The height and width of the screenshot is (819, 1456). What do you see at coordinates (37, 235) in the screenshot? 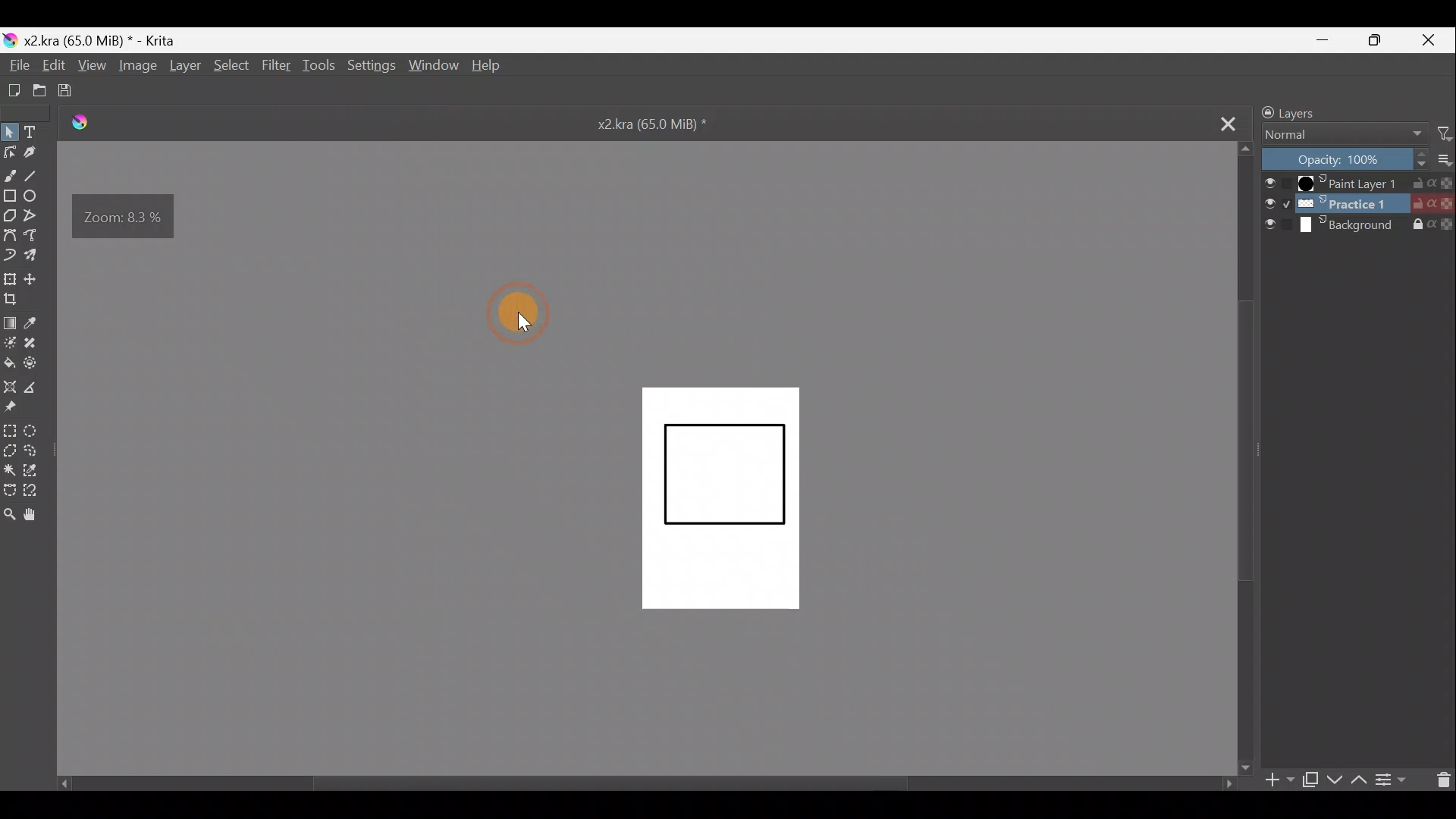
I see `Freehand path tool` at bounding box center [37, 235].